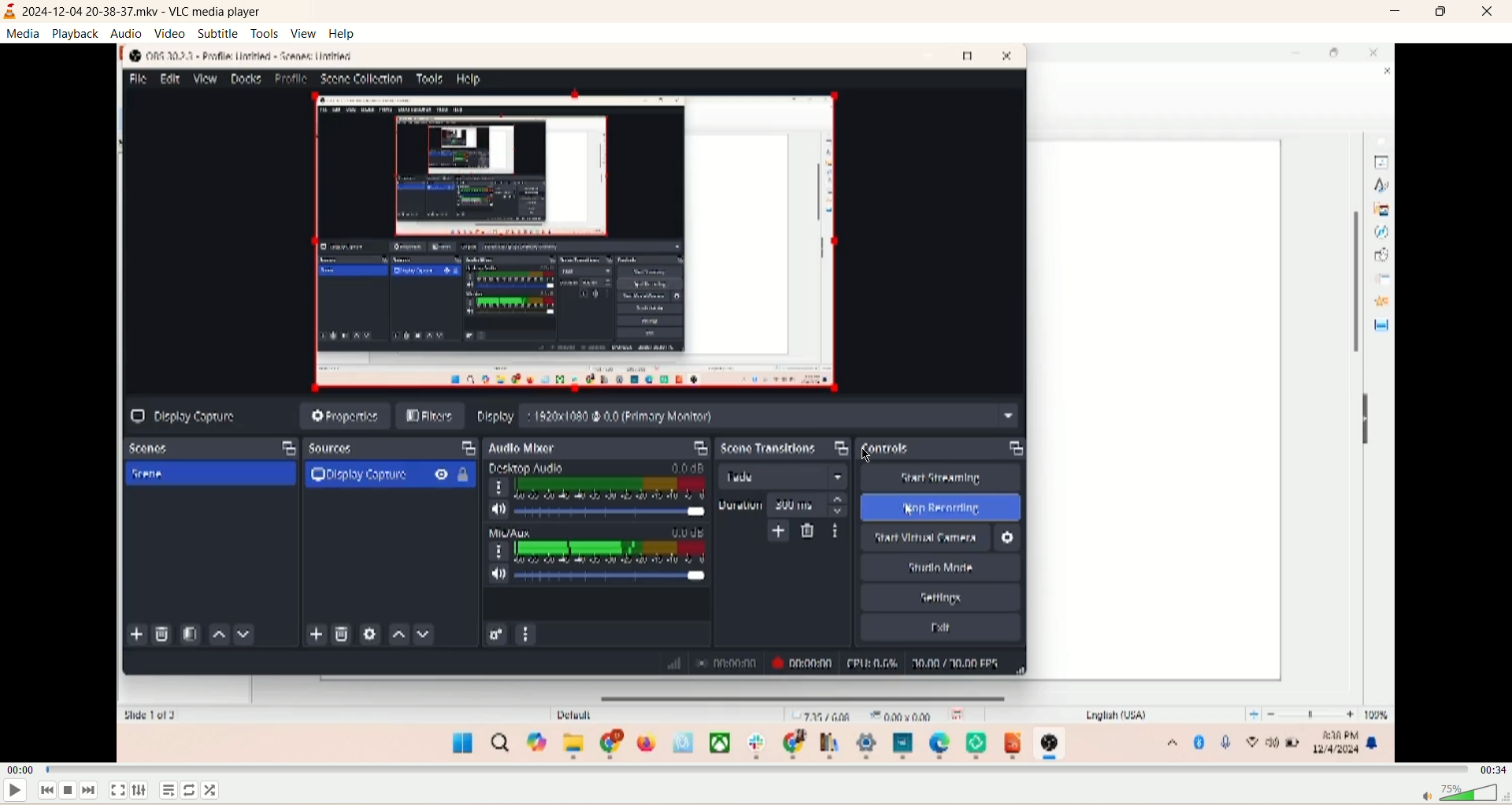  What do you see at coordinates (143, 789) in the screenshot?
I see `extended settings` at bounding box center [143, 789].